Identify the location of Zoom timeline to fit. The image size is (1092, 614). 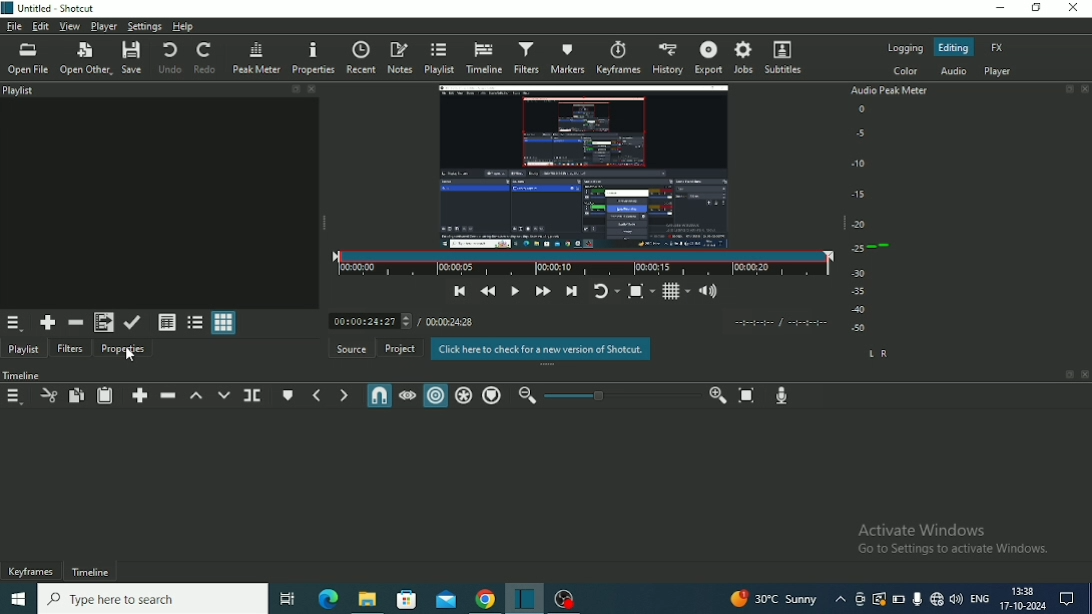
(746, 397).